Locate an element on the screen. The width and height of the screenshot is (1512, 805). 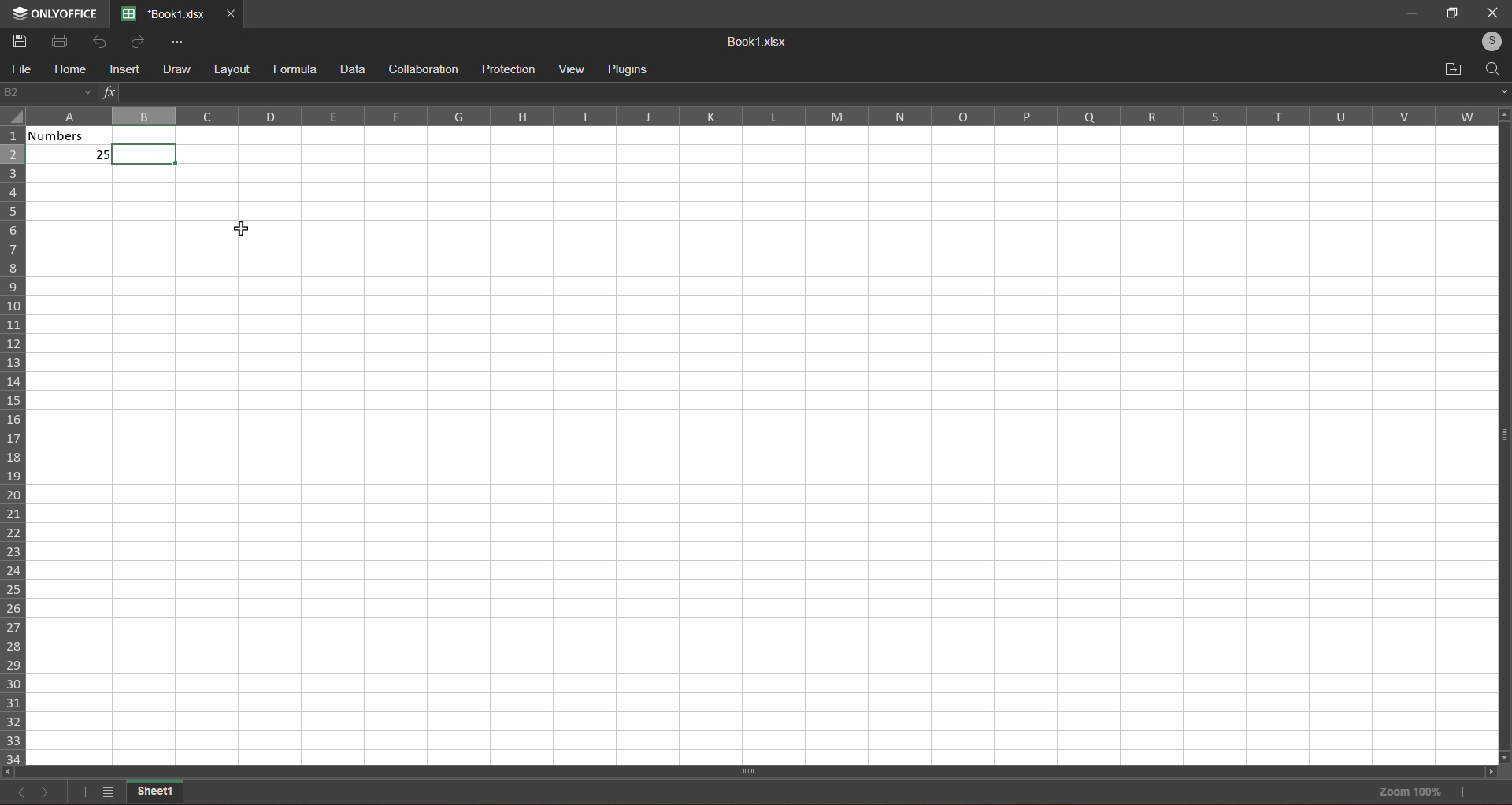
minimize is located at coordinates (1413, 14).